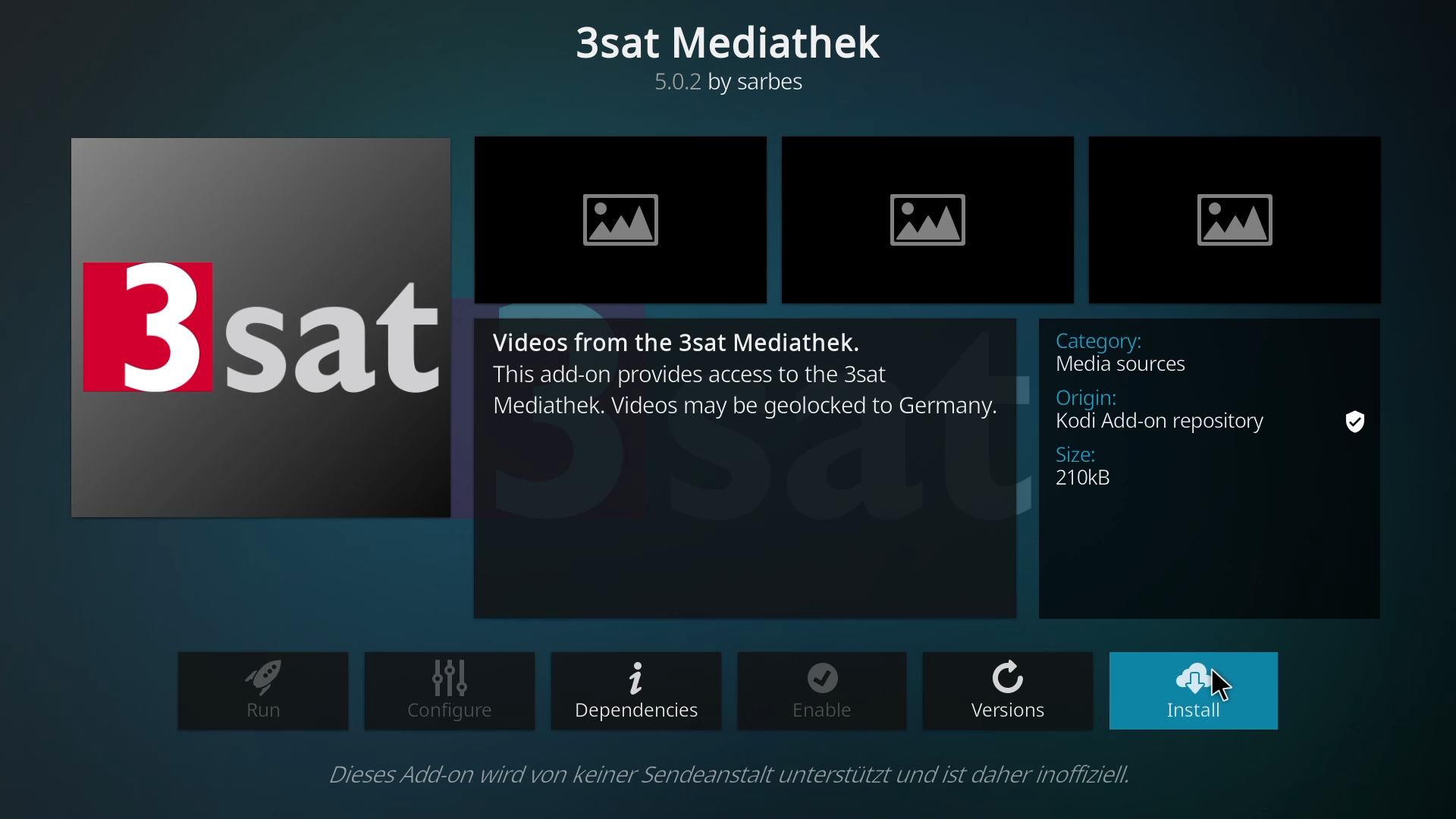 Image resolution: width=1456 pixels, height=819 pixels. What do you see at coordinates (1226, 688) in the screenshot?
I see `cursor` at bounding box center [1226, 688].